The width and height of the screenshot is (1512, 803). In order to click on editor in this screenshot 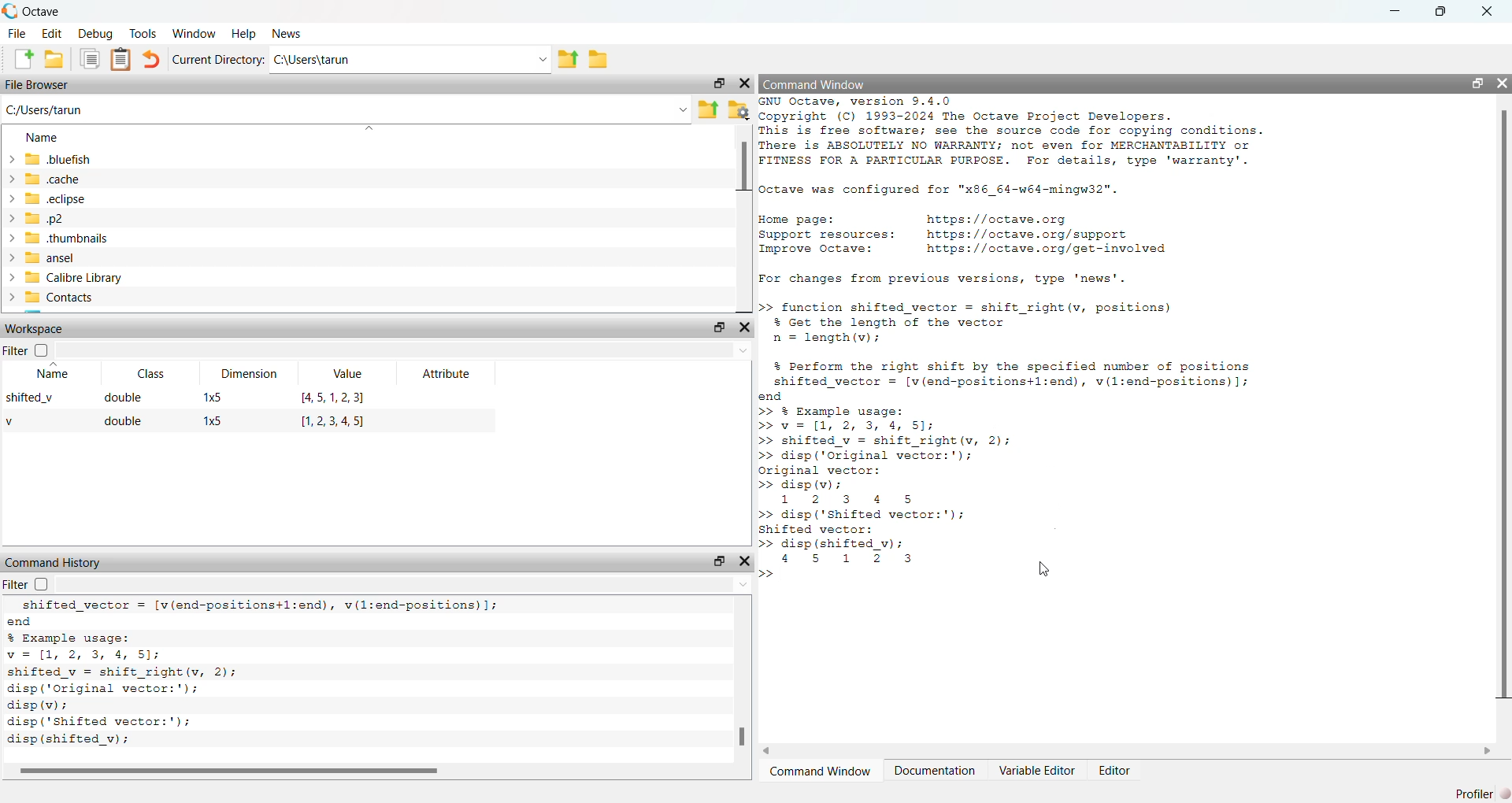, I will do `click(1121, 772)`.